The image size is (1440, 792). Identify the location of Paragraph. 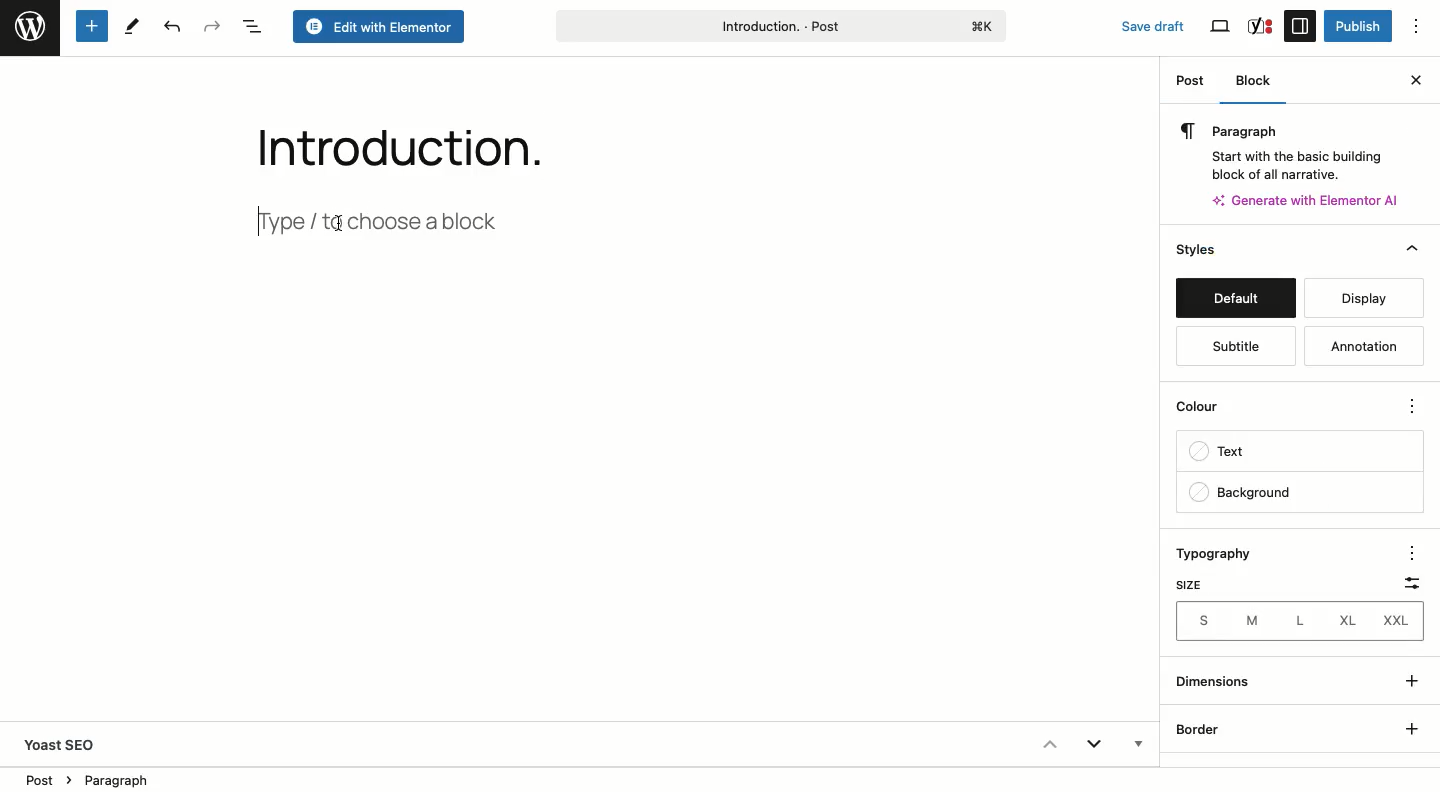
(1292, 148).